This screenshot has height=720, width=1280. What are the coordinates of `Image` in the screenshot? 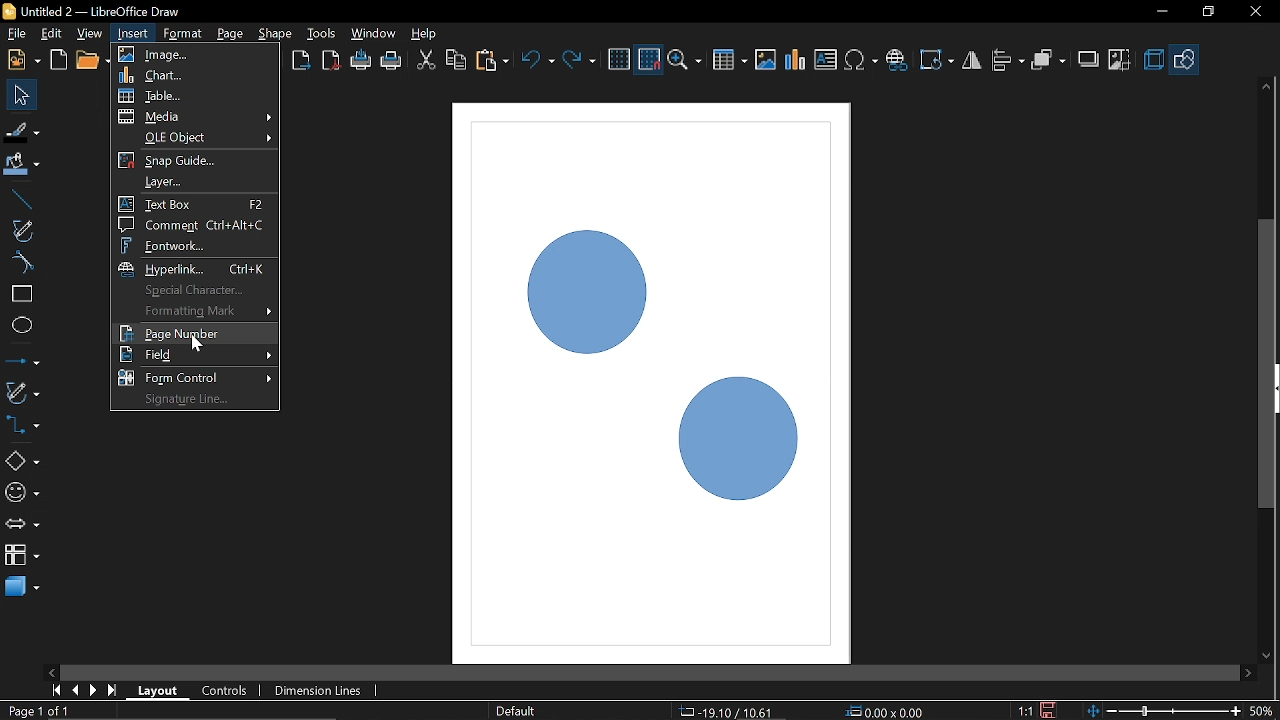 It's located at (765, 59).